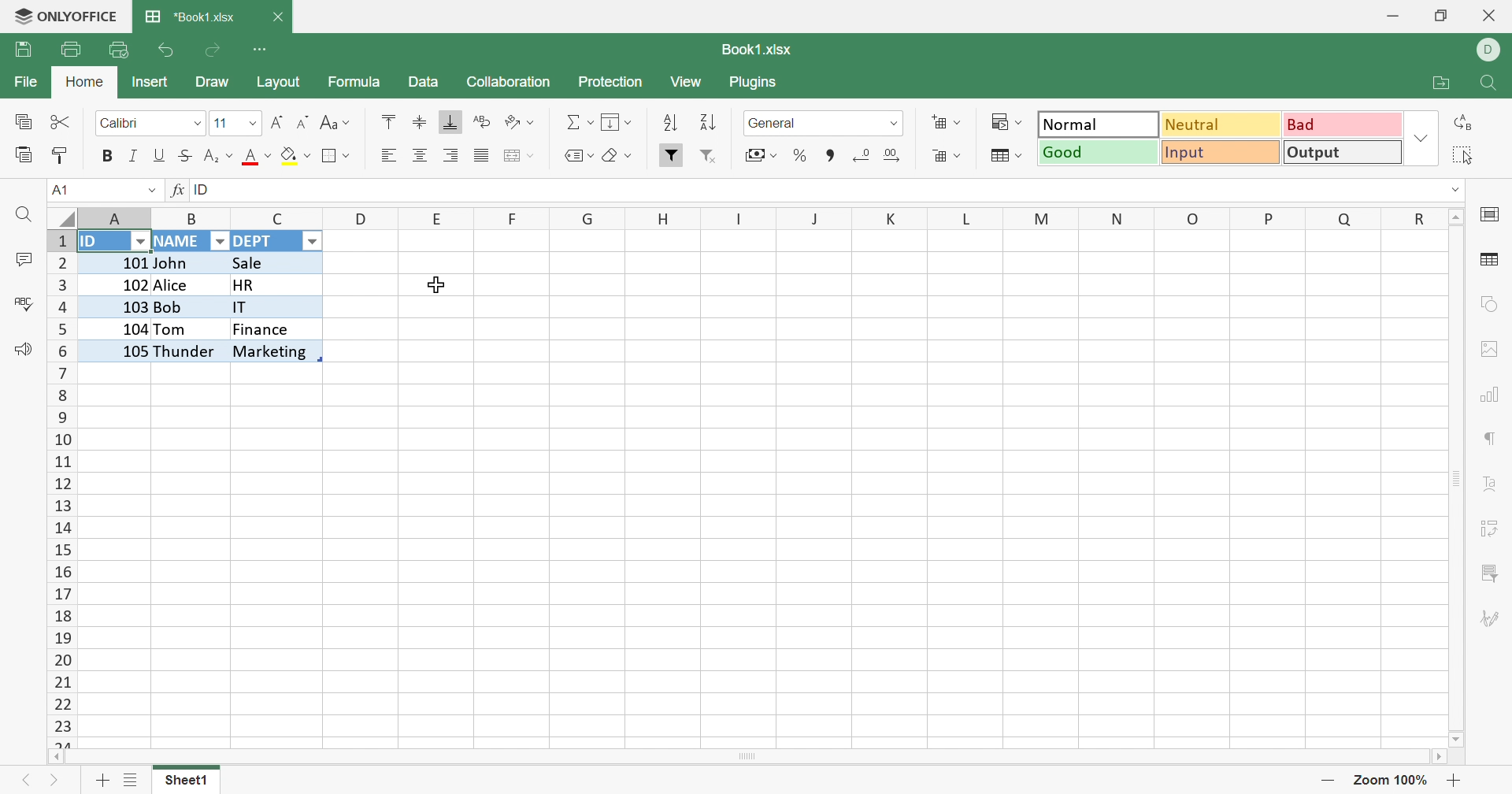 Image resolution: width=1512 pixels, height=794 pixels. Describe the element at coordinates (1392, 781) in the screenshot. I see `Zoom 100%` at that location.